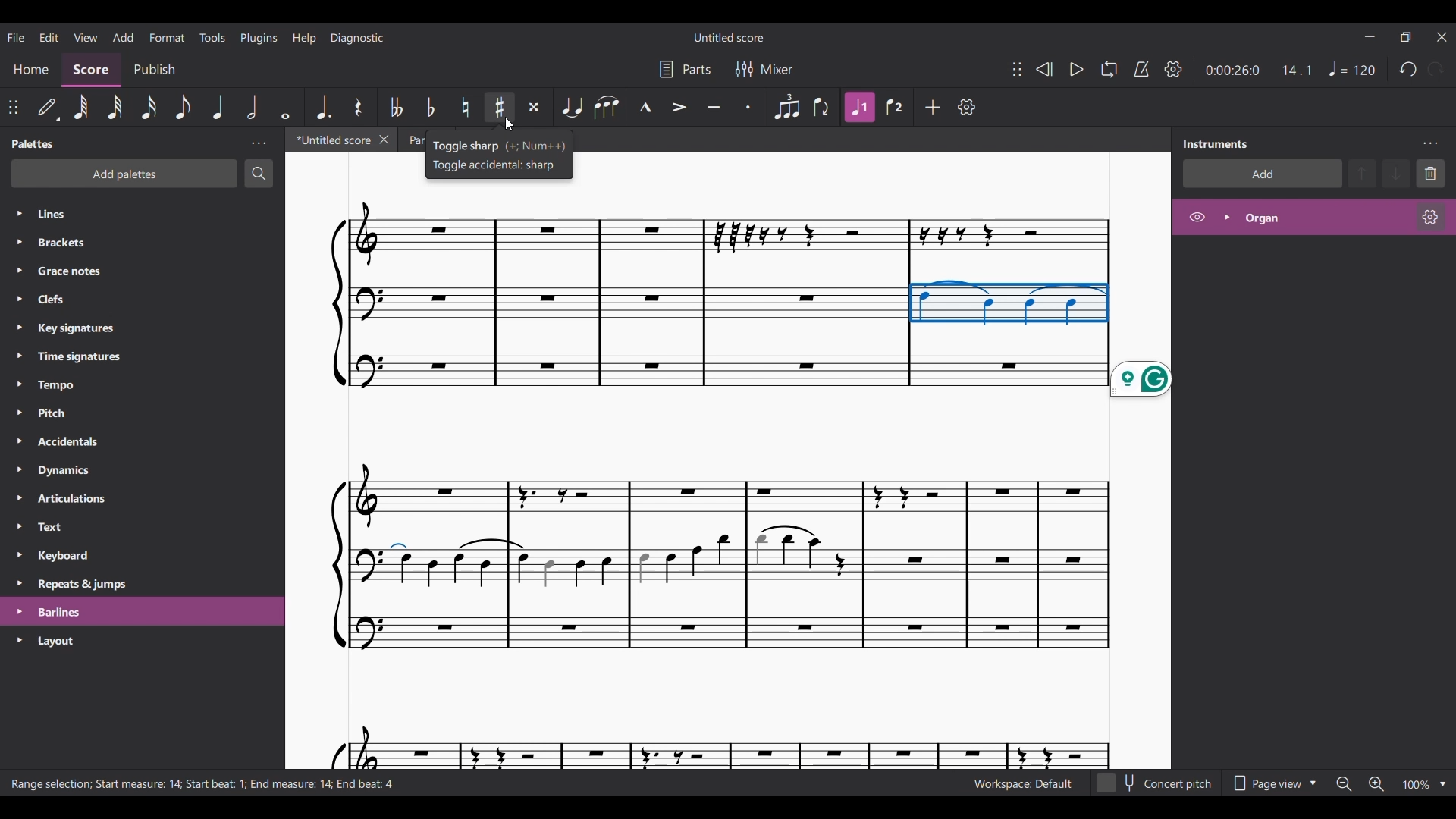 The height and width of the screenshot is (819, 1456). Describe the element at coordinates (80, 107) in the screenshot. I see `64th note` at that location.